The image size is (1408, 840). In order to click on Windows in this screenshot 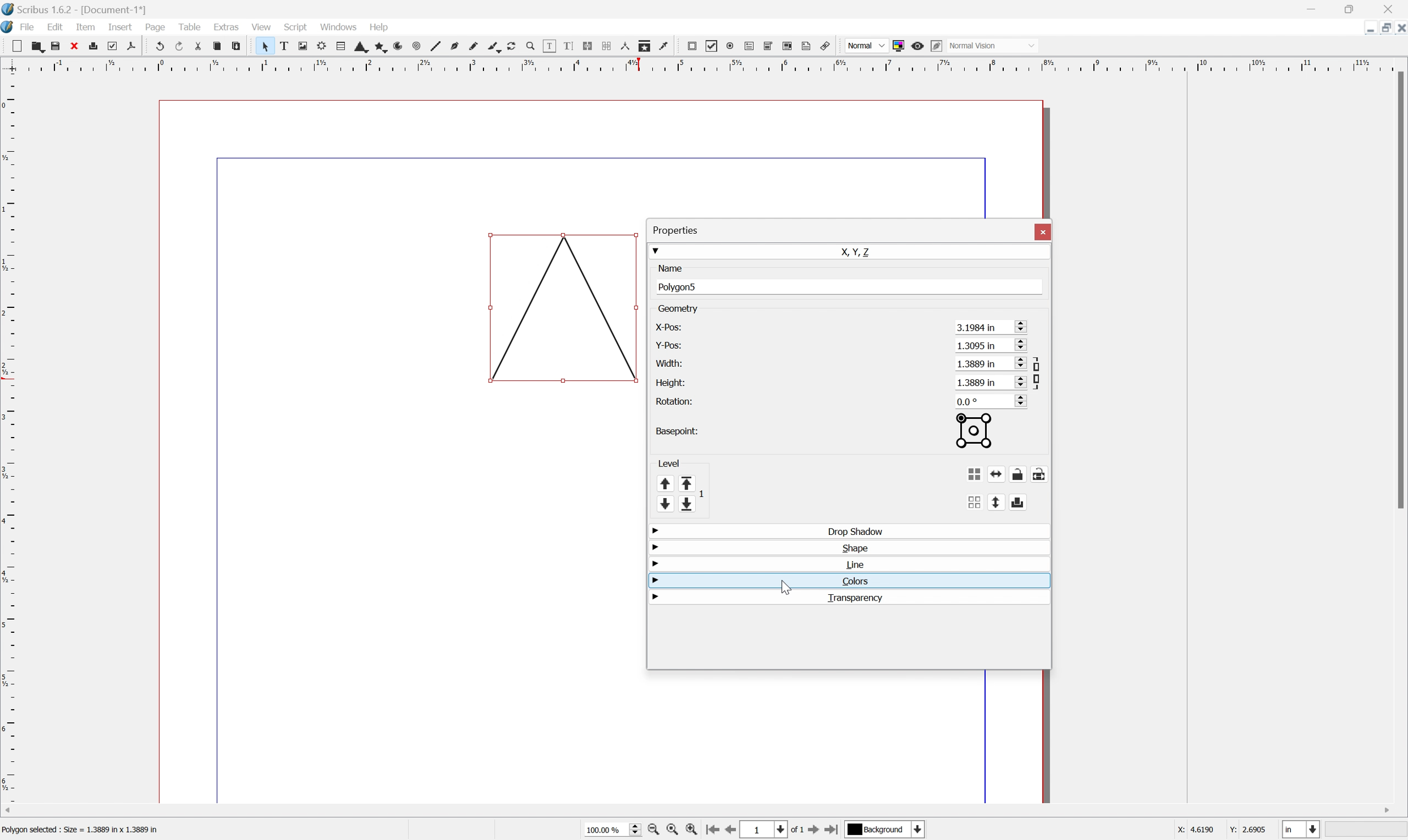, I will do `click(338, 25)`.